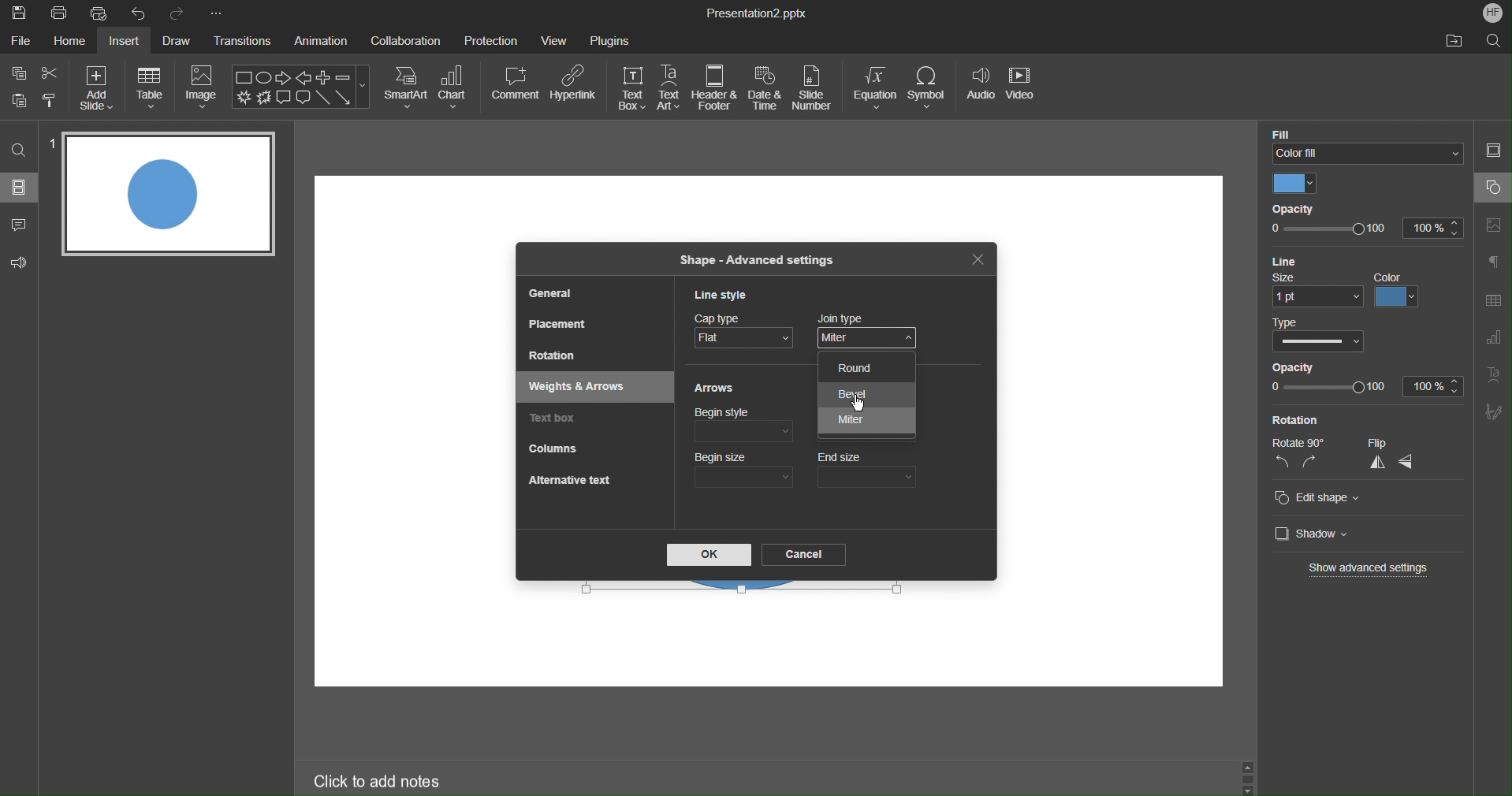 The width and height of the screenshot is (1512, 796). I want to click on Shape Menu, so click(300, 87).